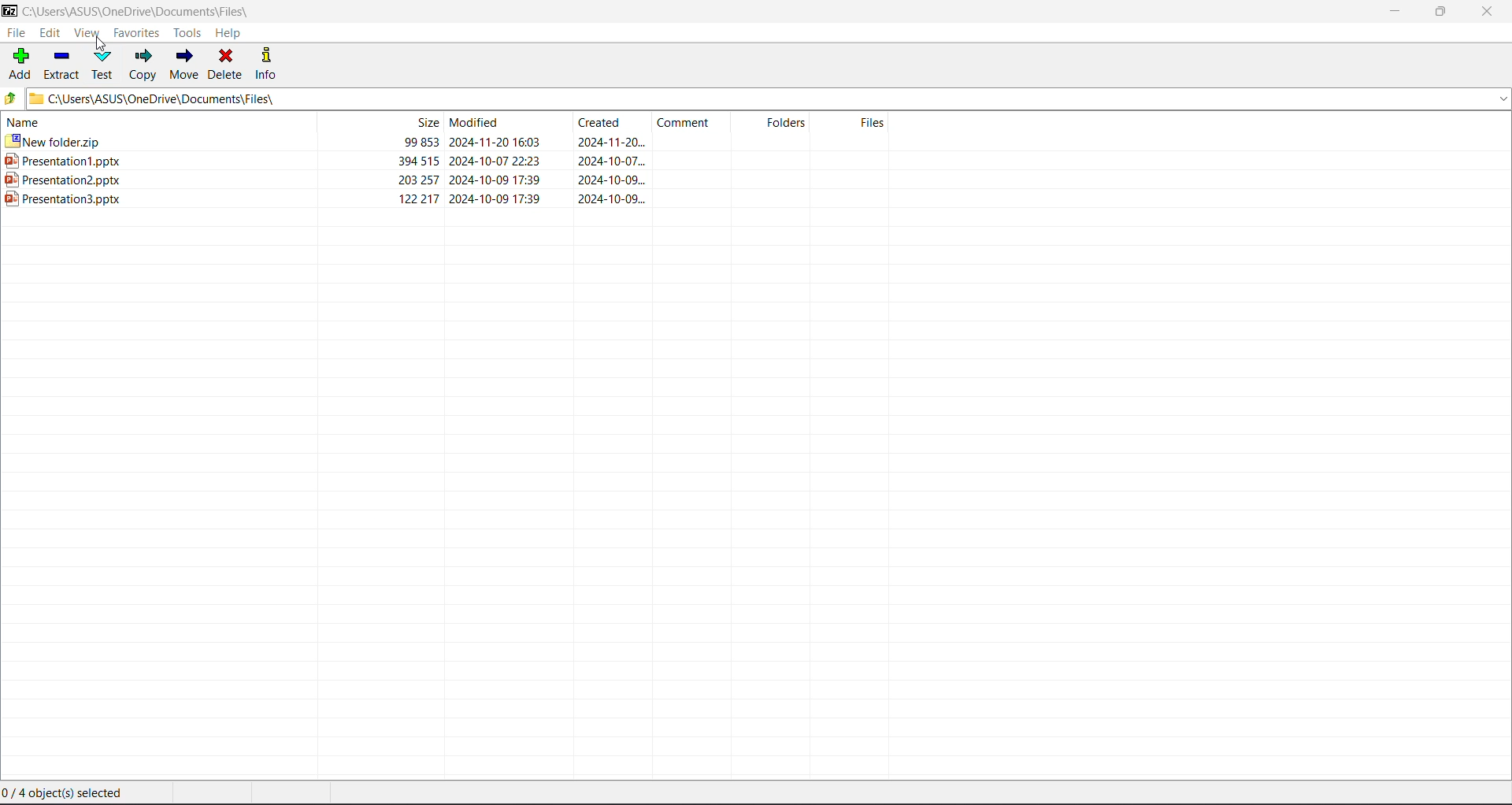  What do you see at coordinates (449, 198) in the screenshot?
I see `ppt 3` at bounding box center [449, 198].